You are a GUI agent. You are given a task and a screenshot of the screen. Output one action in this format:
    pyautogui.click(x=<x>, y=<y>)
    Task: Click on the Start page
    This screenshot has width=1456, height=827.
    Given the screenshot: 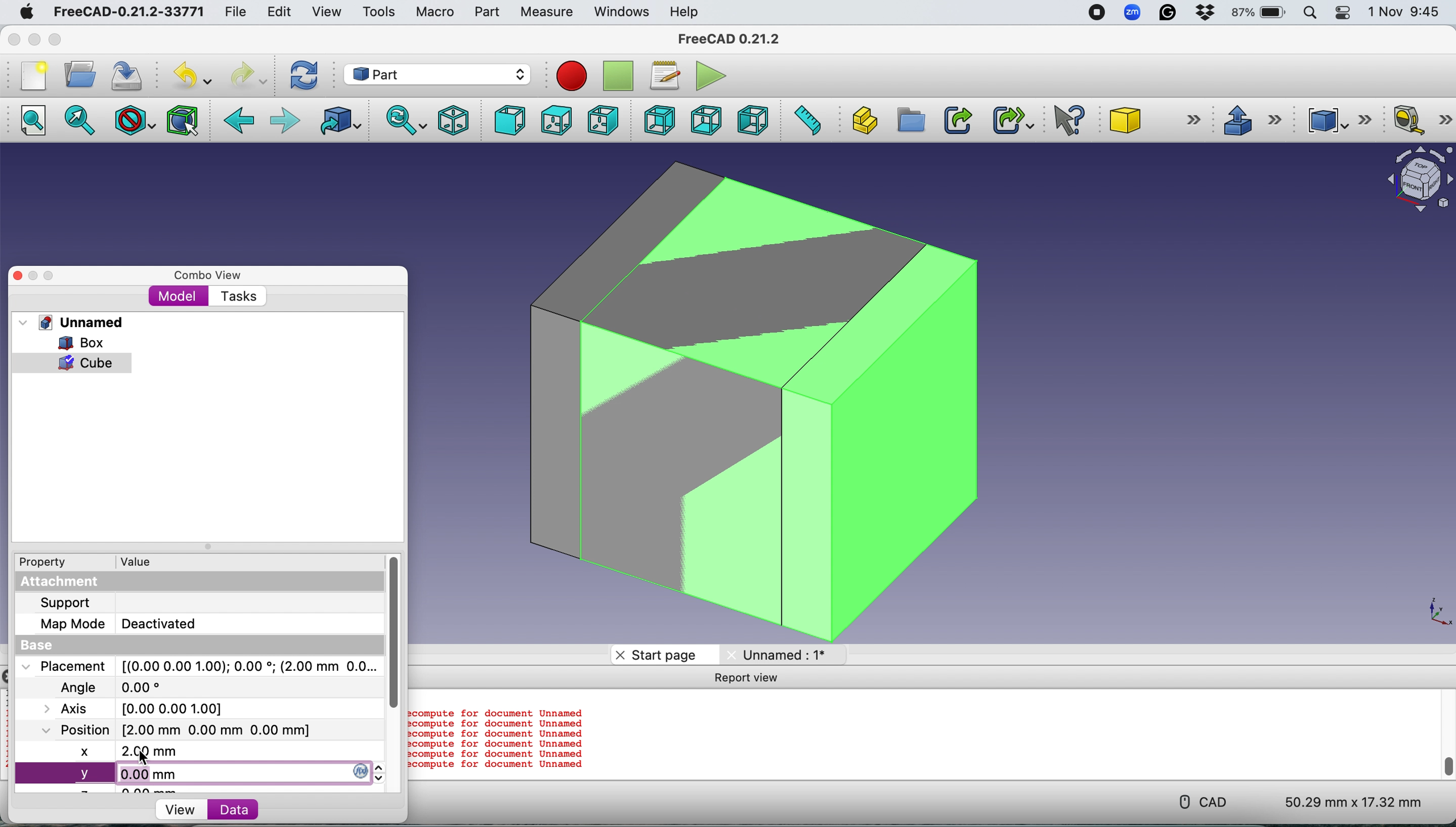 What is the action you would take?
    pyautogui.click(x=663, y=654)
    